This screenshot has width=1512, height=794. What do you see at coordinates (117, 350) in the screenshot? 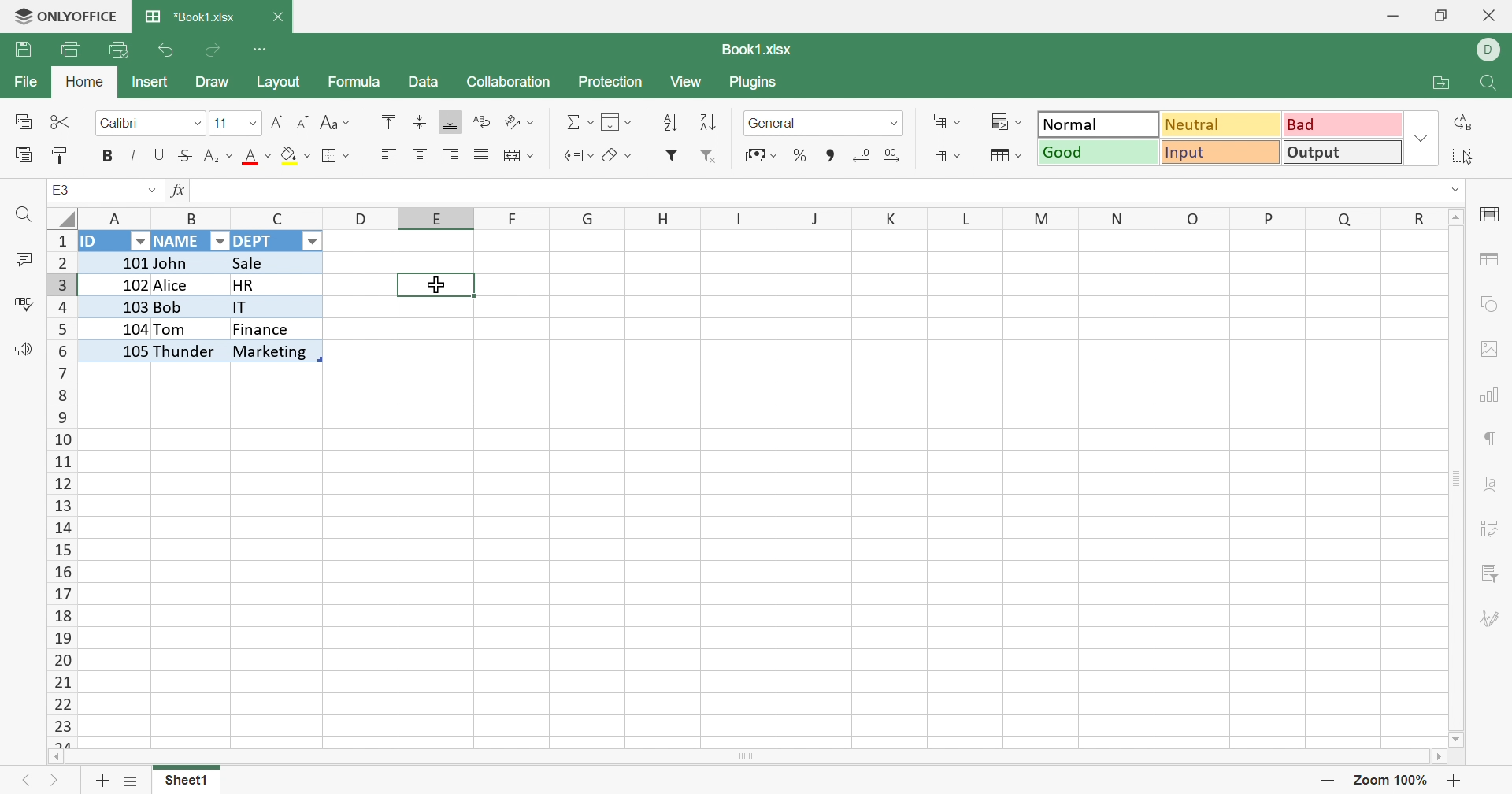
I see `105` at bounding box center [117, 350].